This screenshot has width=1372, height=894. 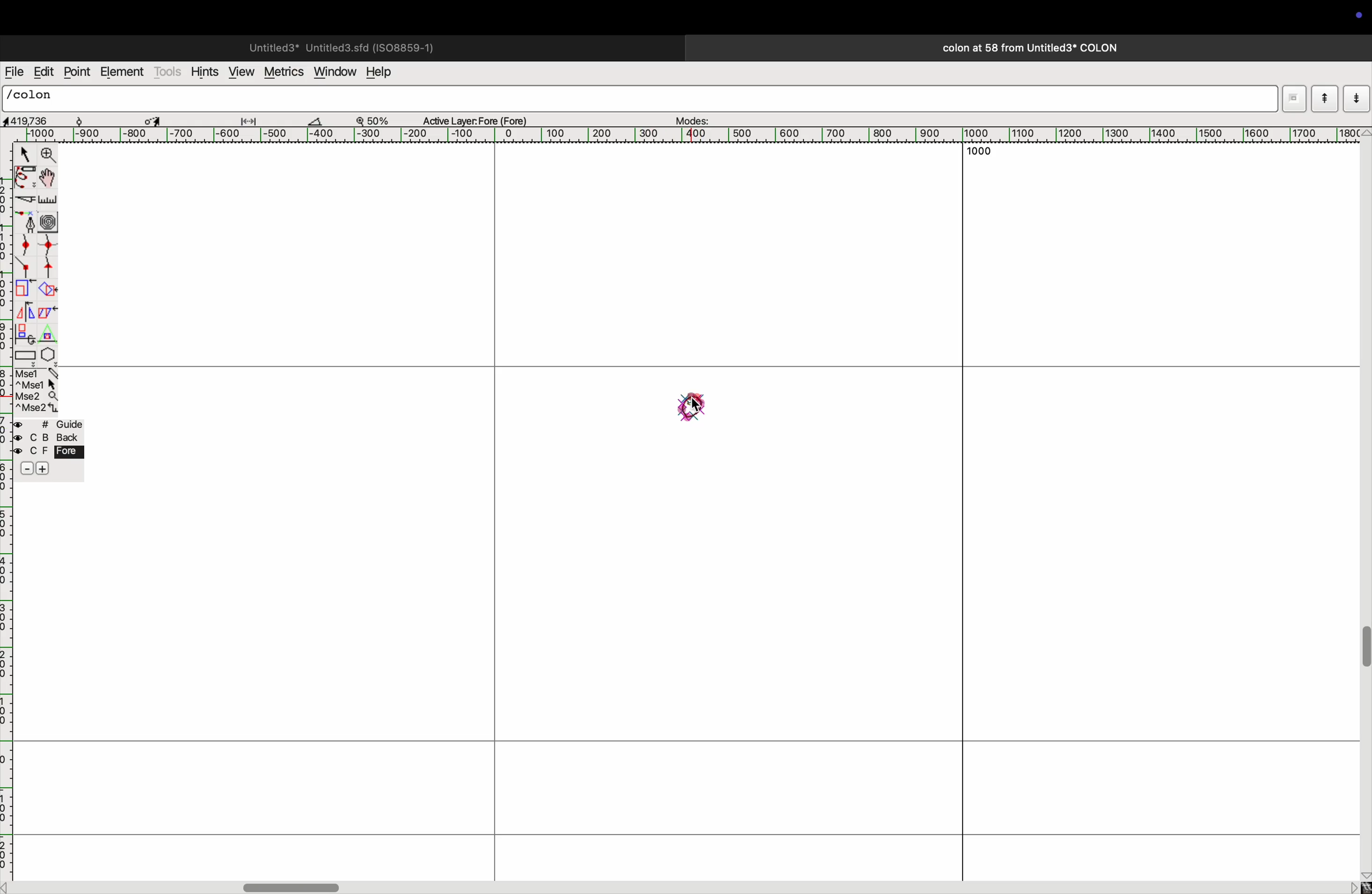 What do you see at coordinates (701, 135) in the screenshot?
I see `horizontal scale` at bounding box center [701, 135].